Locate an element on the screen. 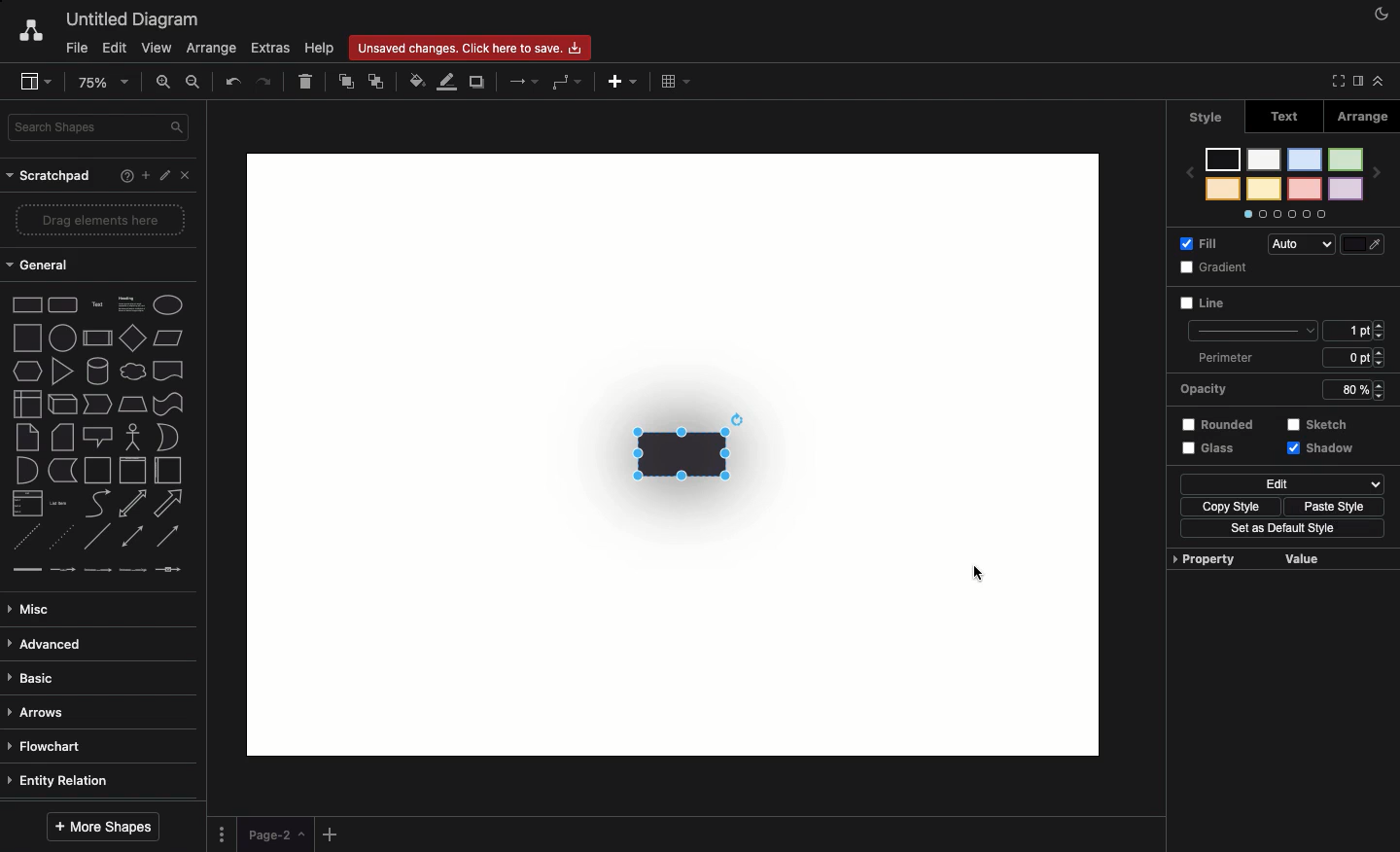 The image size is (1400, 852). circle is located at coordinates (63, 337).